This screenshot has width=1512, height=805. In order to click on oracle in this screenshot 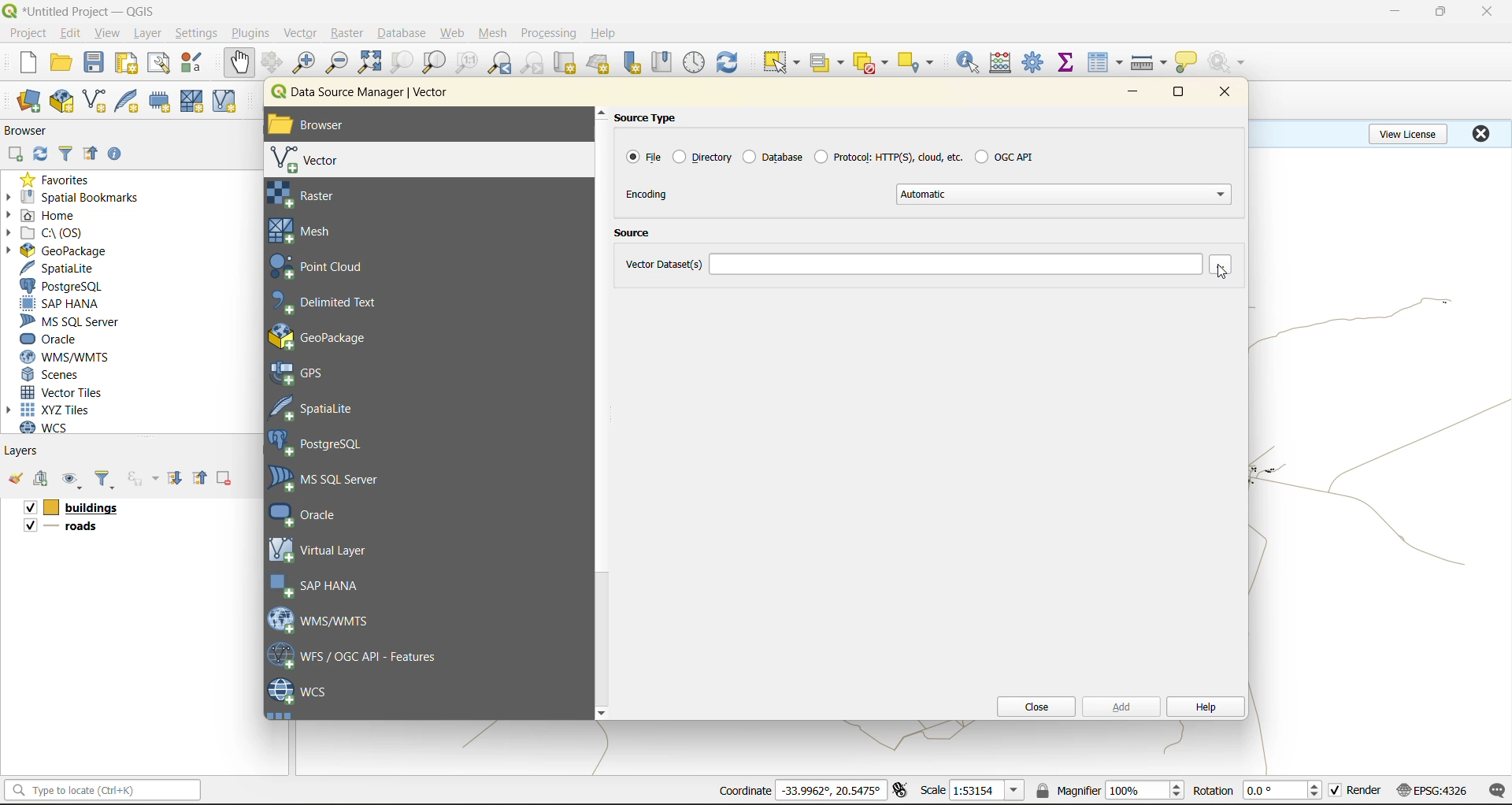, I will do `click(55, 339)`.